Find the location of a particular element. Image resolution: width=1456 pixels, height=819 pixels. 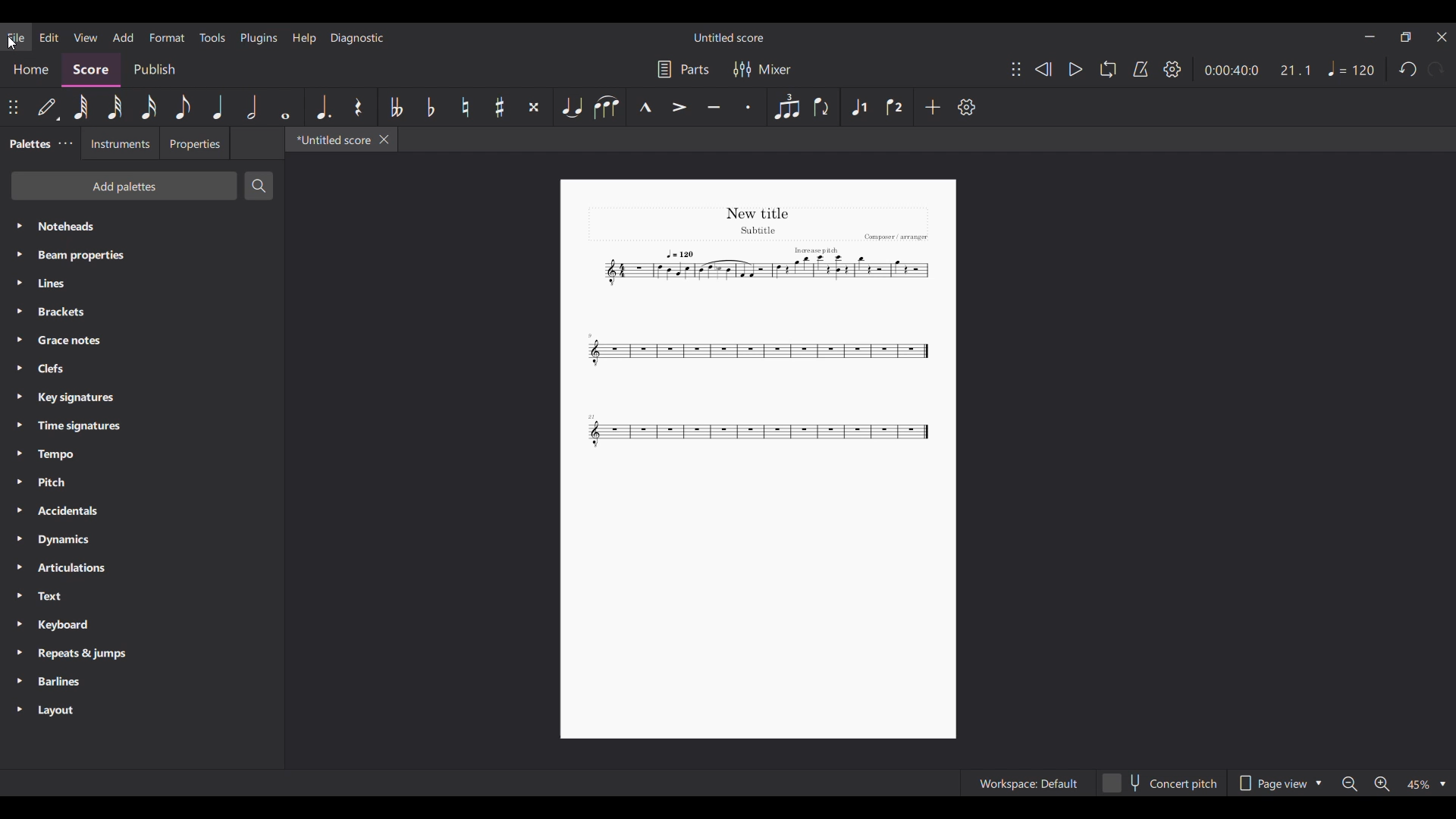

Keyboard is located at coordinates (143, 626).